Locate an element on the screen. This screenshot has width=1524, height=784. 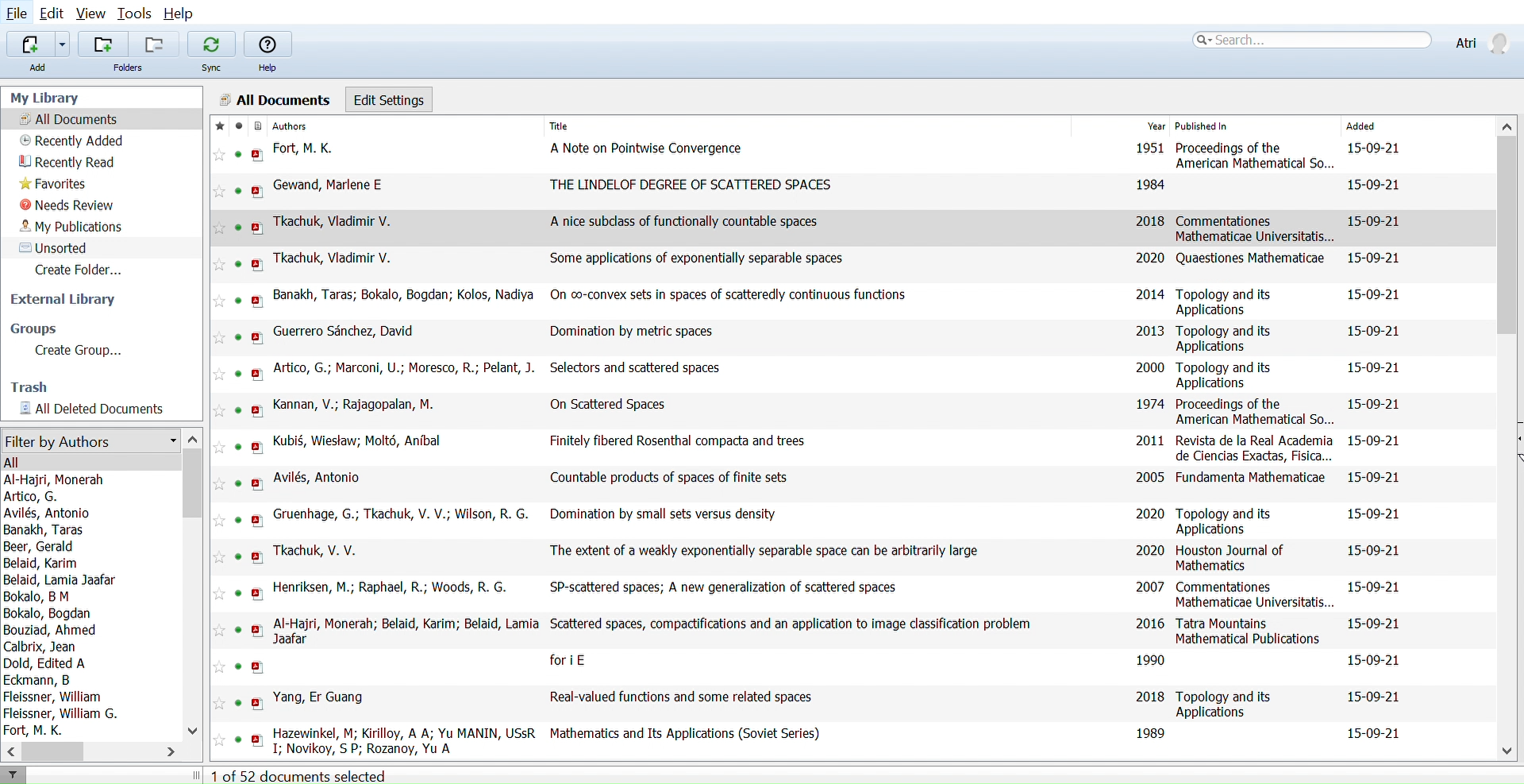
15-09-21 is located at coordinates (1375, 588).